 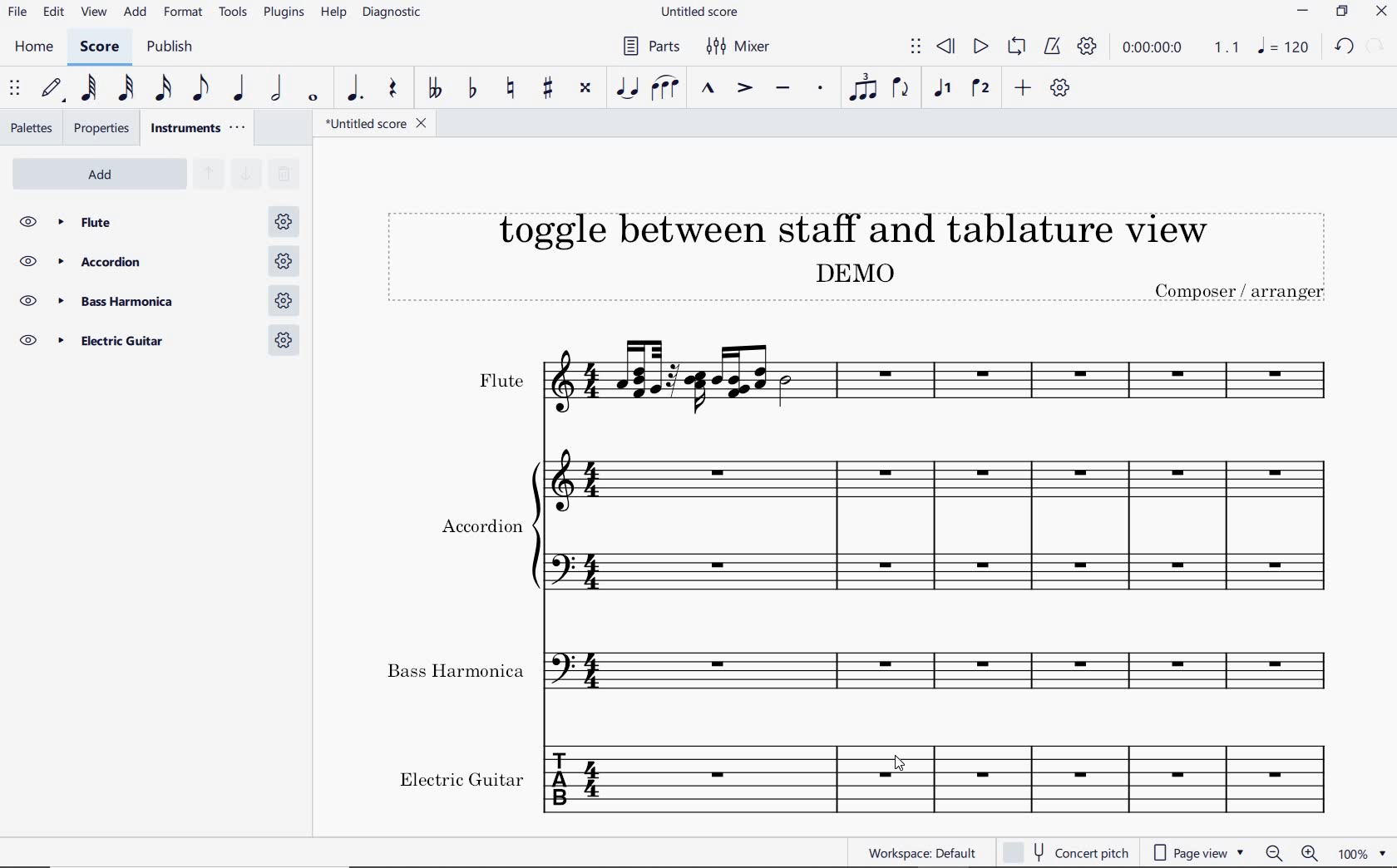 I want to click on toggle natural, so click(x=512, y=88).